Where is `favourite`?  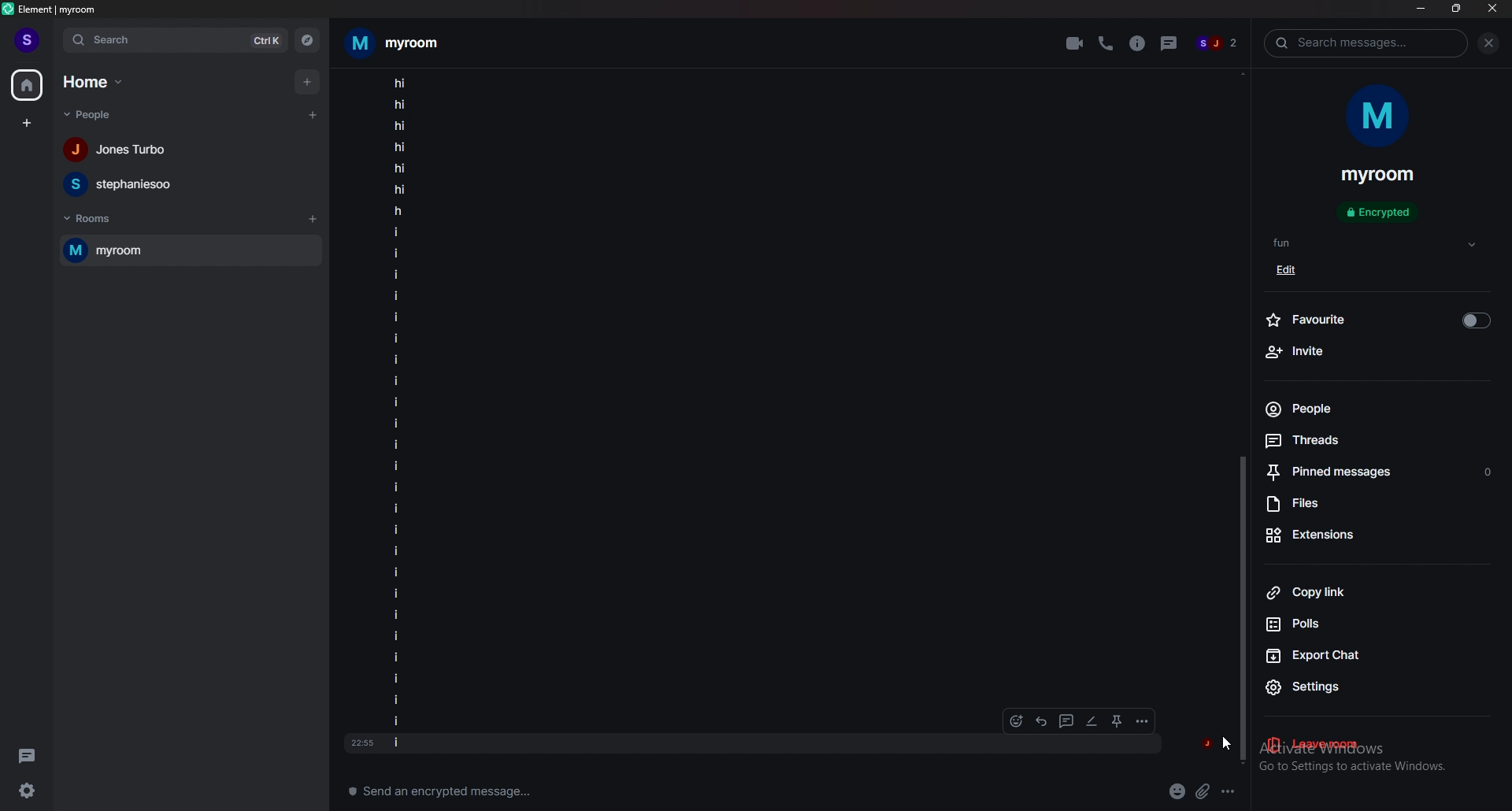
favourite is located at coordinates (1380, 319).